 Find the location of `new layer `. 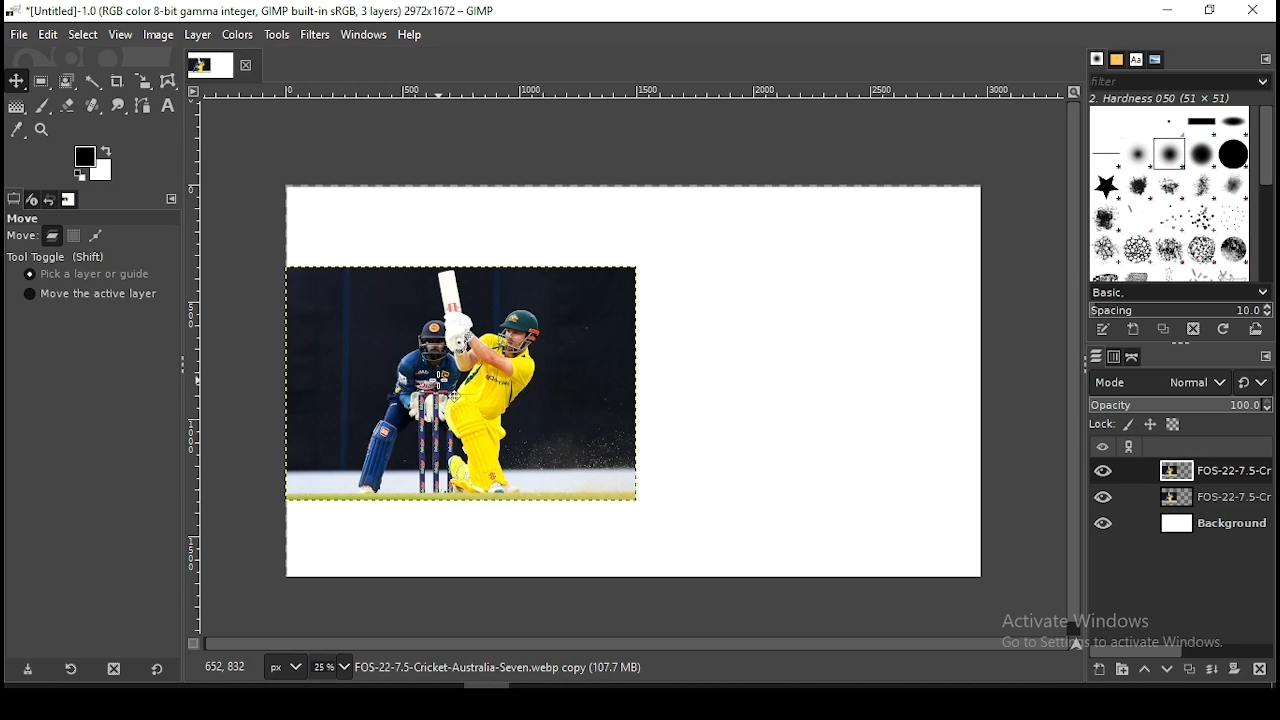

new layer  is located at coordinates (1098, 671).